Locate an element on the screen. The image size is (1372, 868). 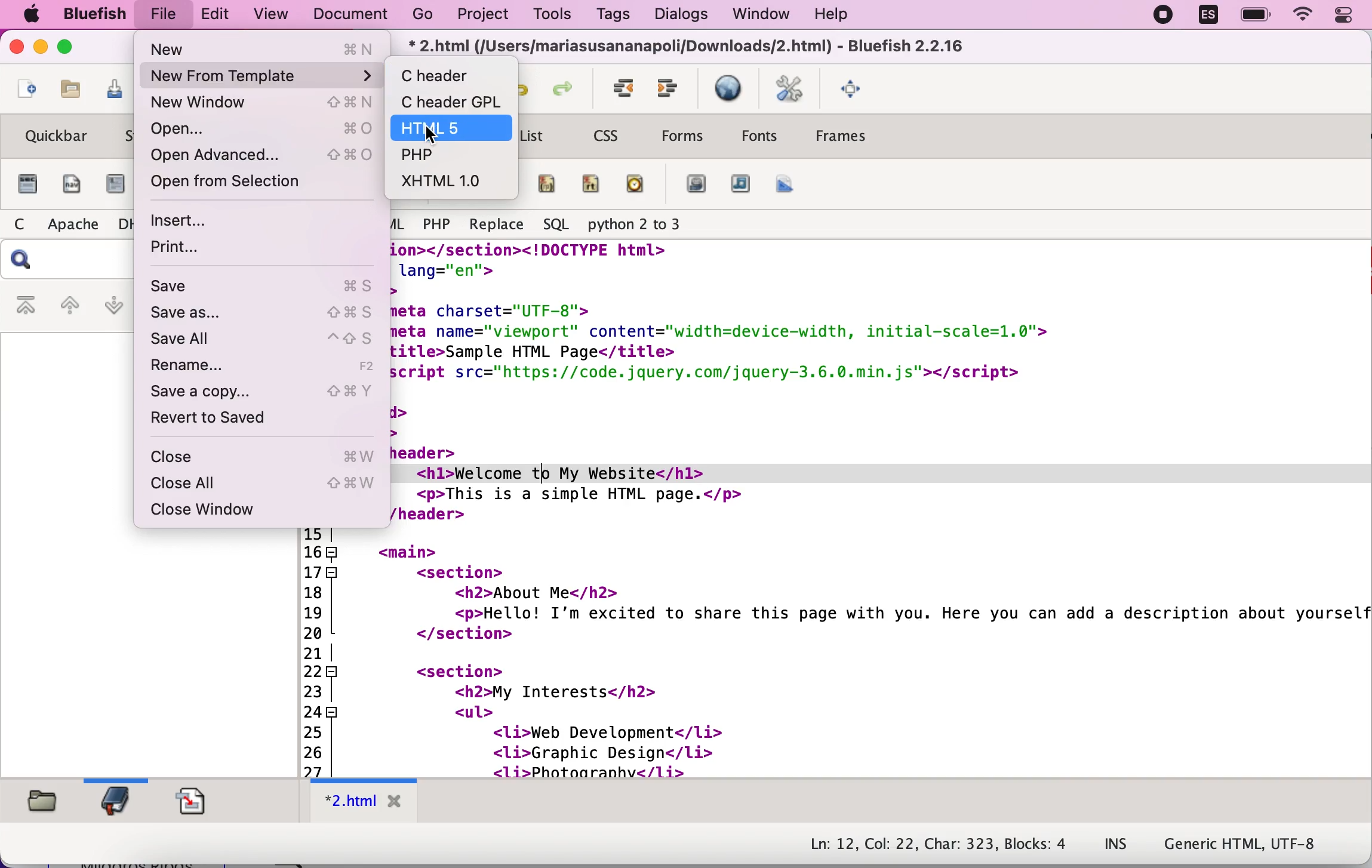
search bar is located at coordinates (67, 258).